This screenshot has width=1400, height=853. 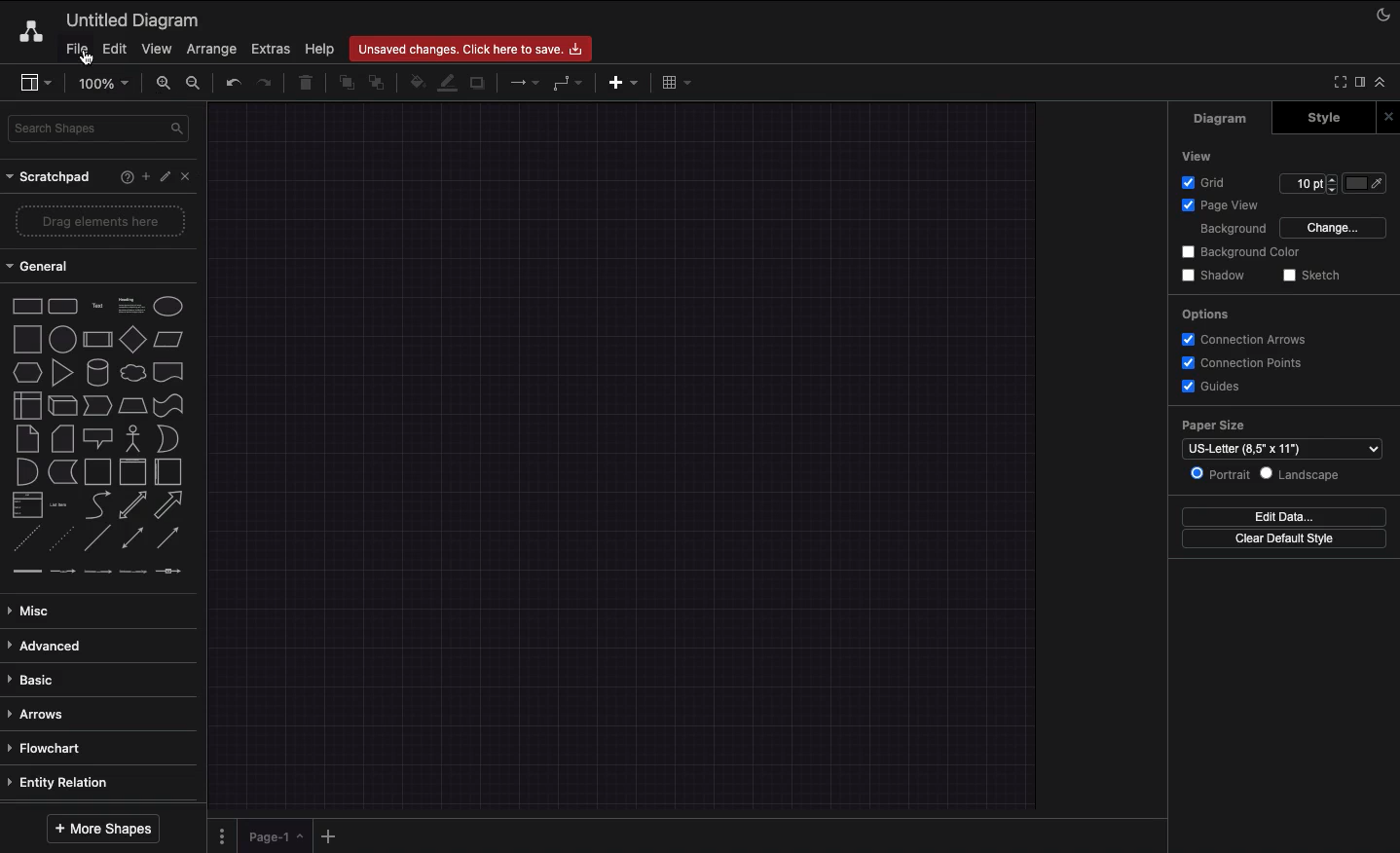 I want to click on Dashed line, so click(x=23, y=541).